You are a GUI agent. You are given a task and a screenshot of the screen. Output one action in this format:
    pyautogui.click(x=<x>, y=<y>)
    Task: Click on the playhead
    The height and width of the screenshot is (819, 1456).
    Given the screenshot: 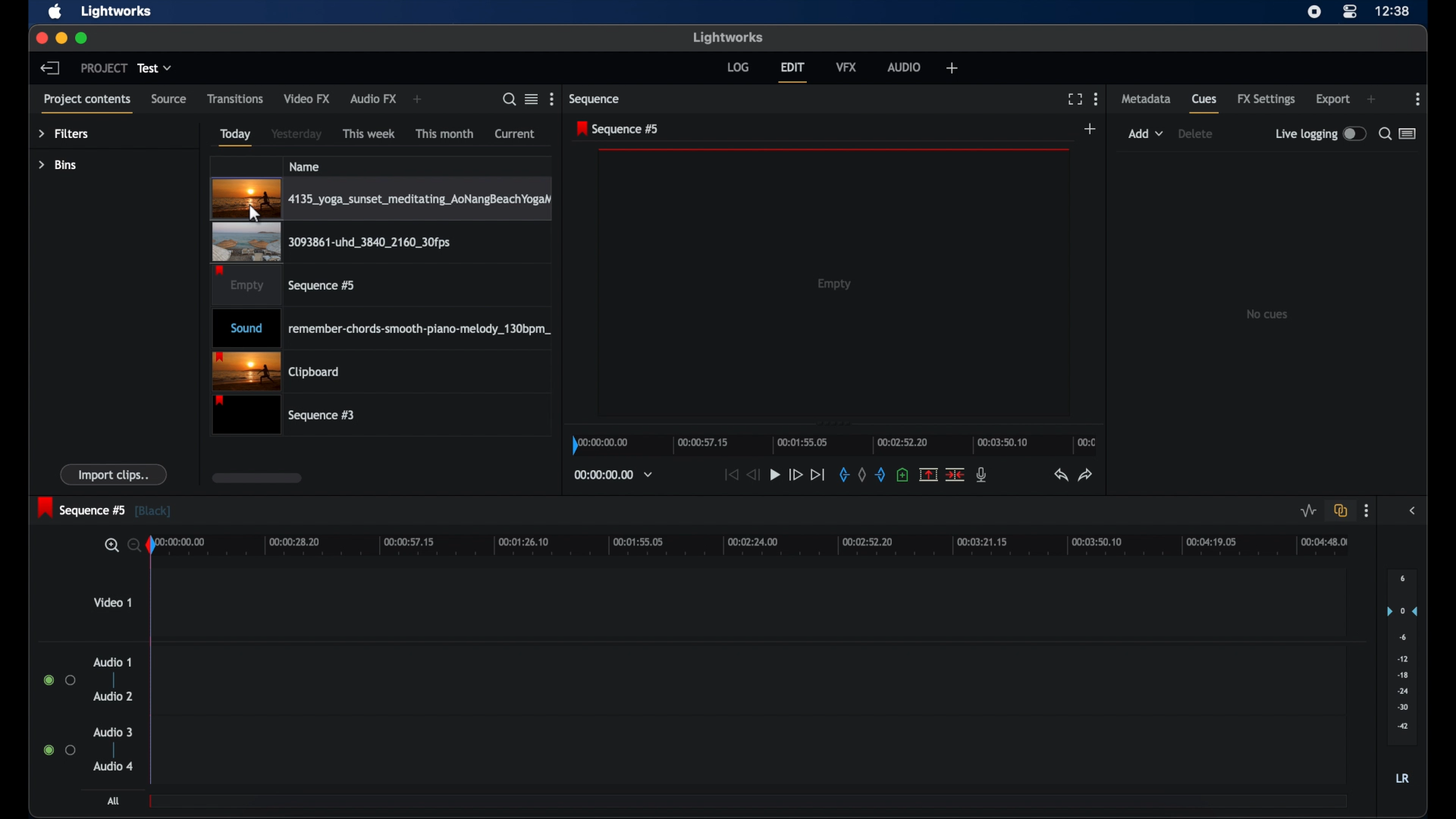 What is the action you would take?
    pyautogui.click(x=151, y=658)
    